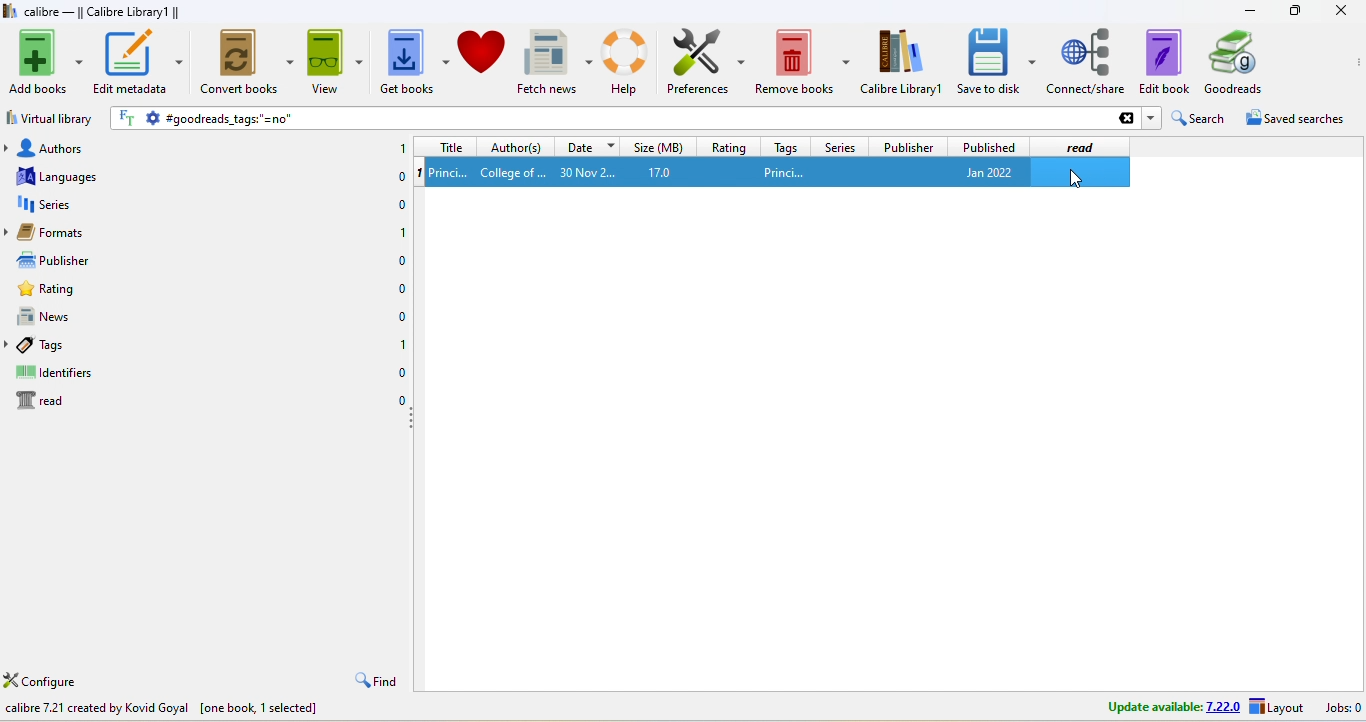  What do you see at coordinates (56, 207) in the screenshot?
I see `series` at bounding box center [56, 207].